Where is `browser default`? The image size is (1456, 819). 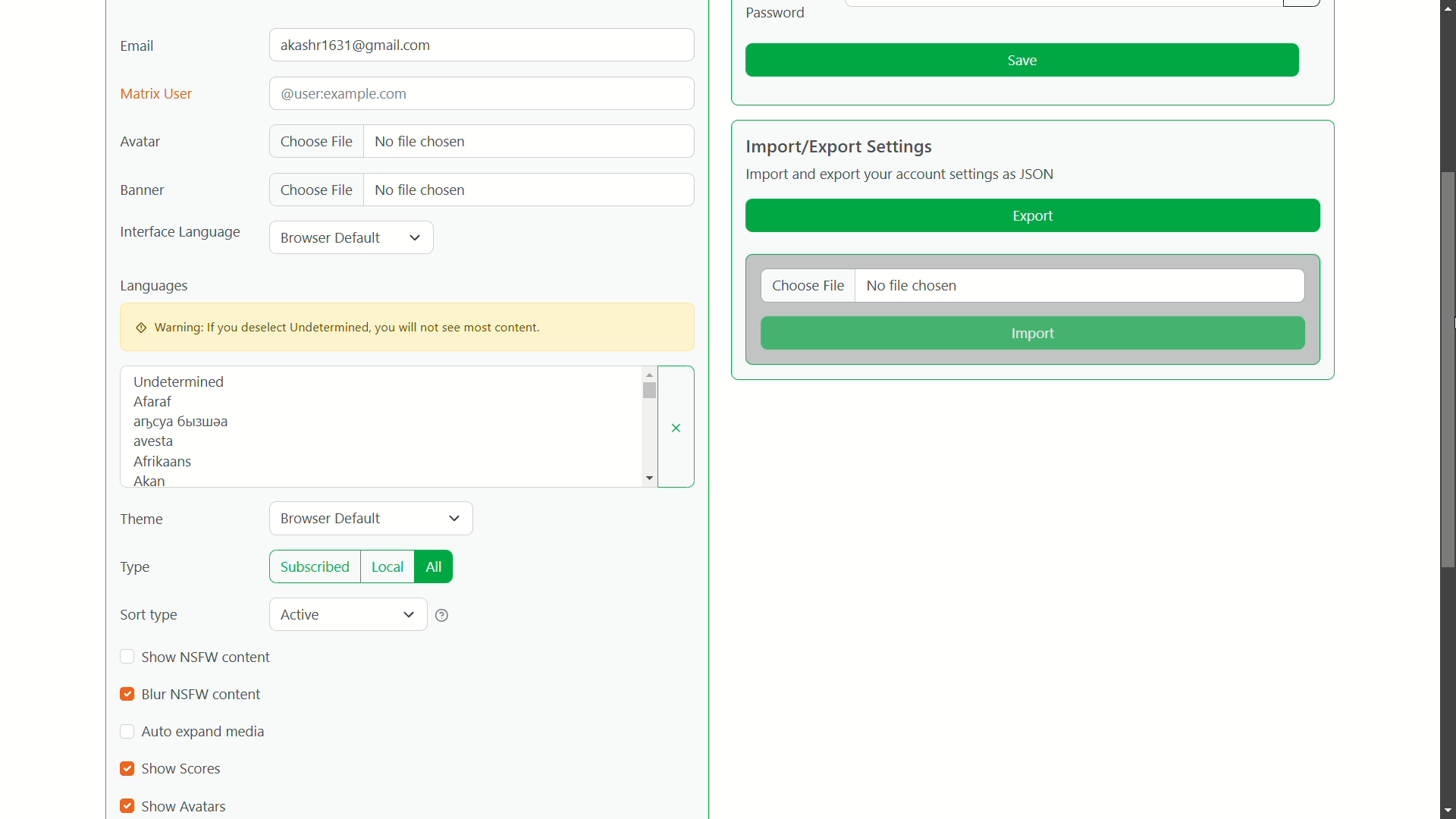
browser default is located at coordinates (331, 237).